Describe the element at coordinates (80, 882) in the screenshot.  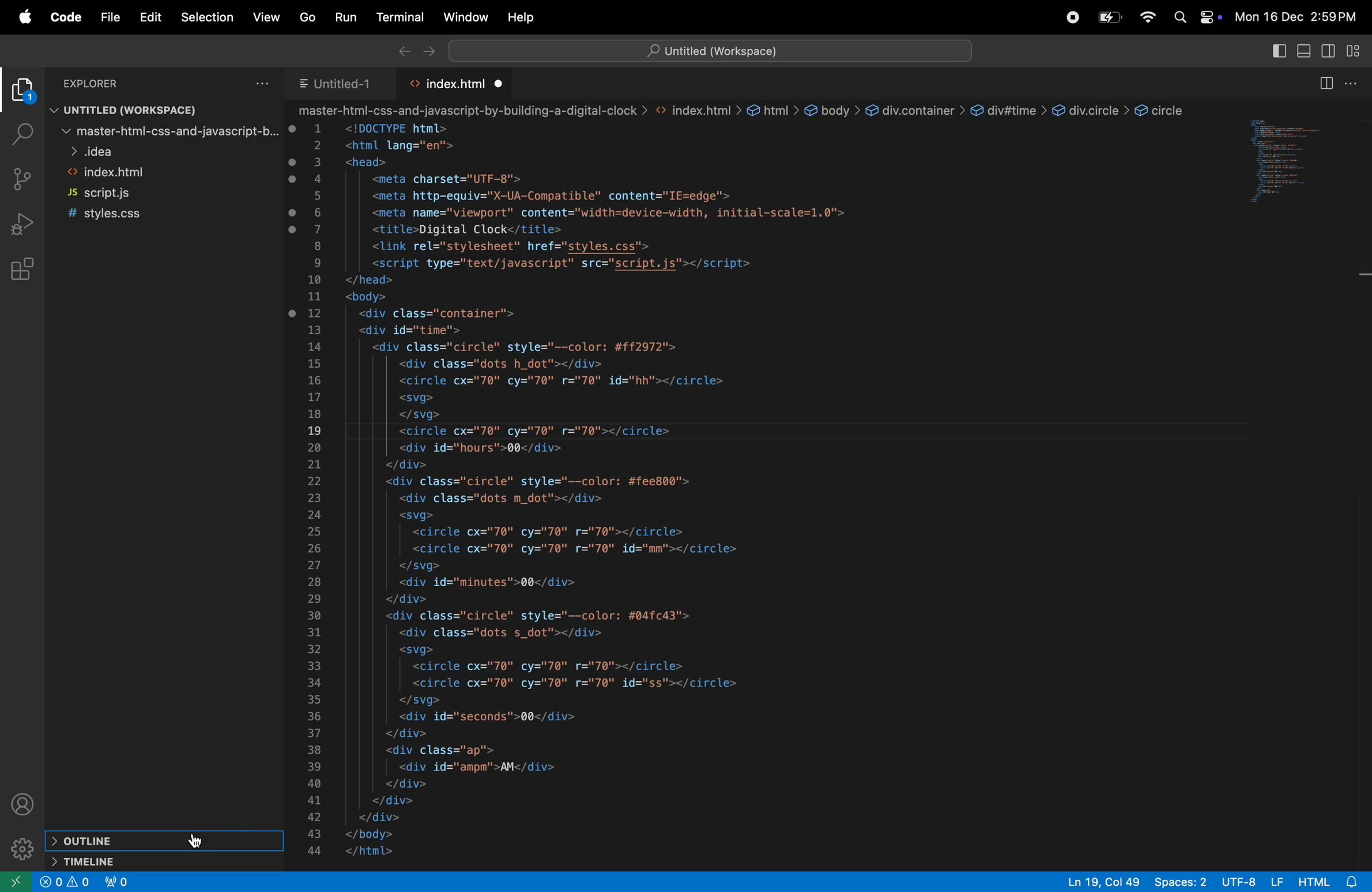
I see `create alert` at that location.